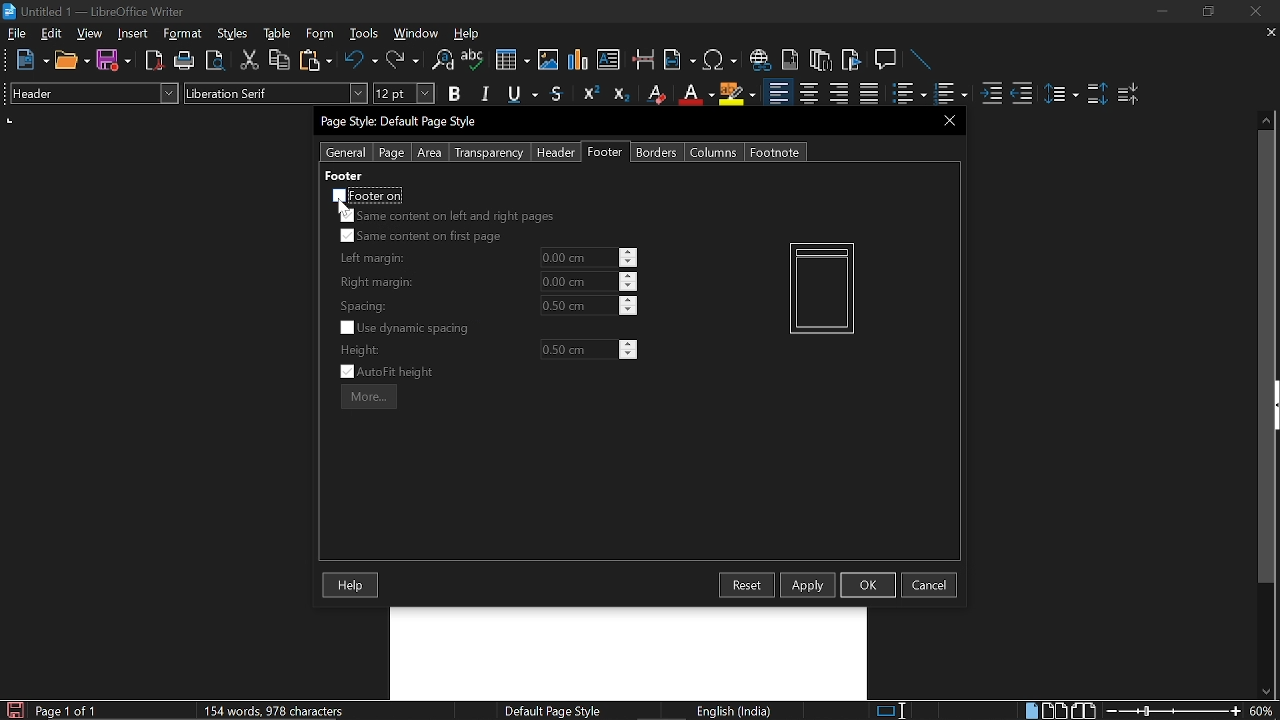 The height and width of the screenshot is (720, 1280). Describe the element at coordinates (658, 152) in the screenshot. I see `Borders` at that location.